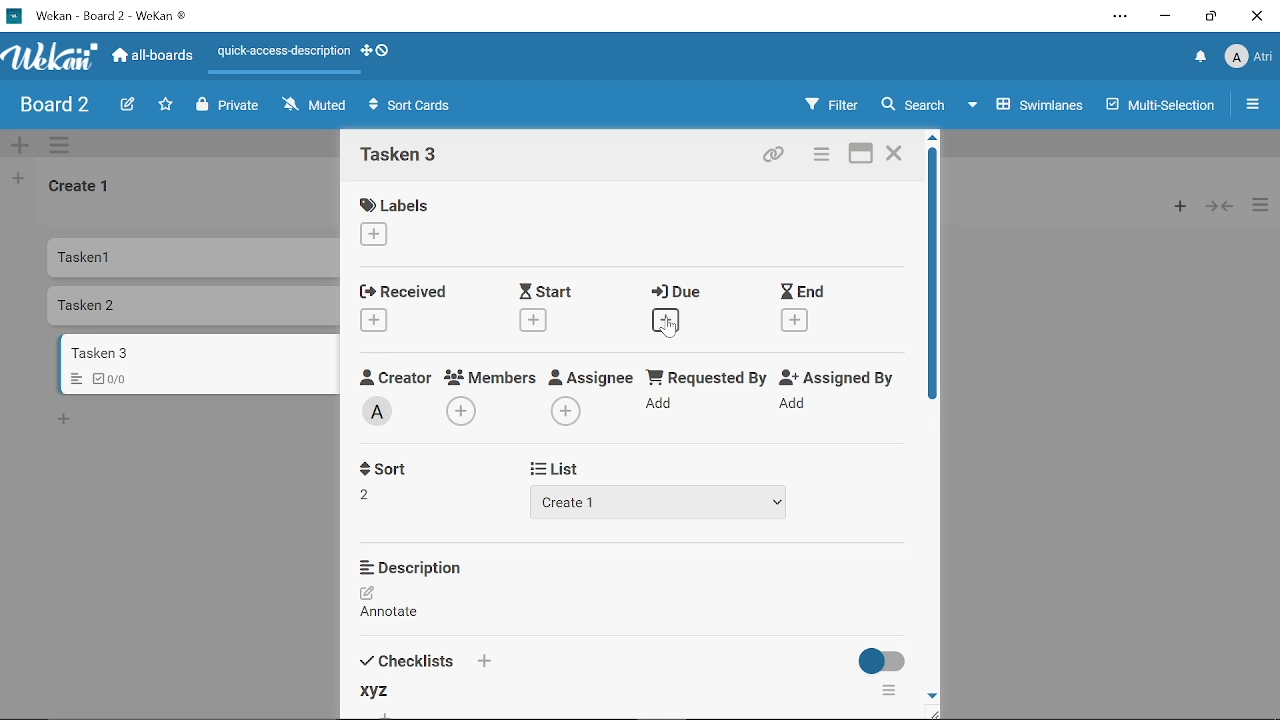  I want to click on Add label, so click(376, 236).